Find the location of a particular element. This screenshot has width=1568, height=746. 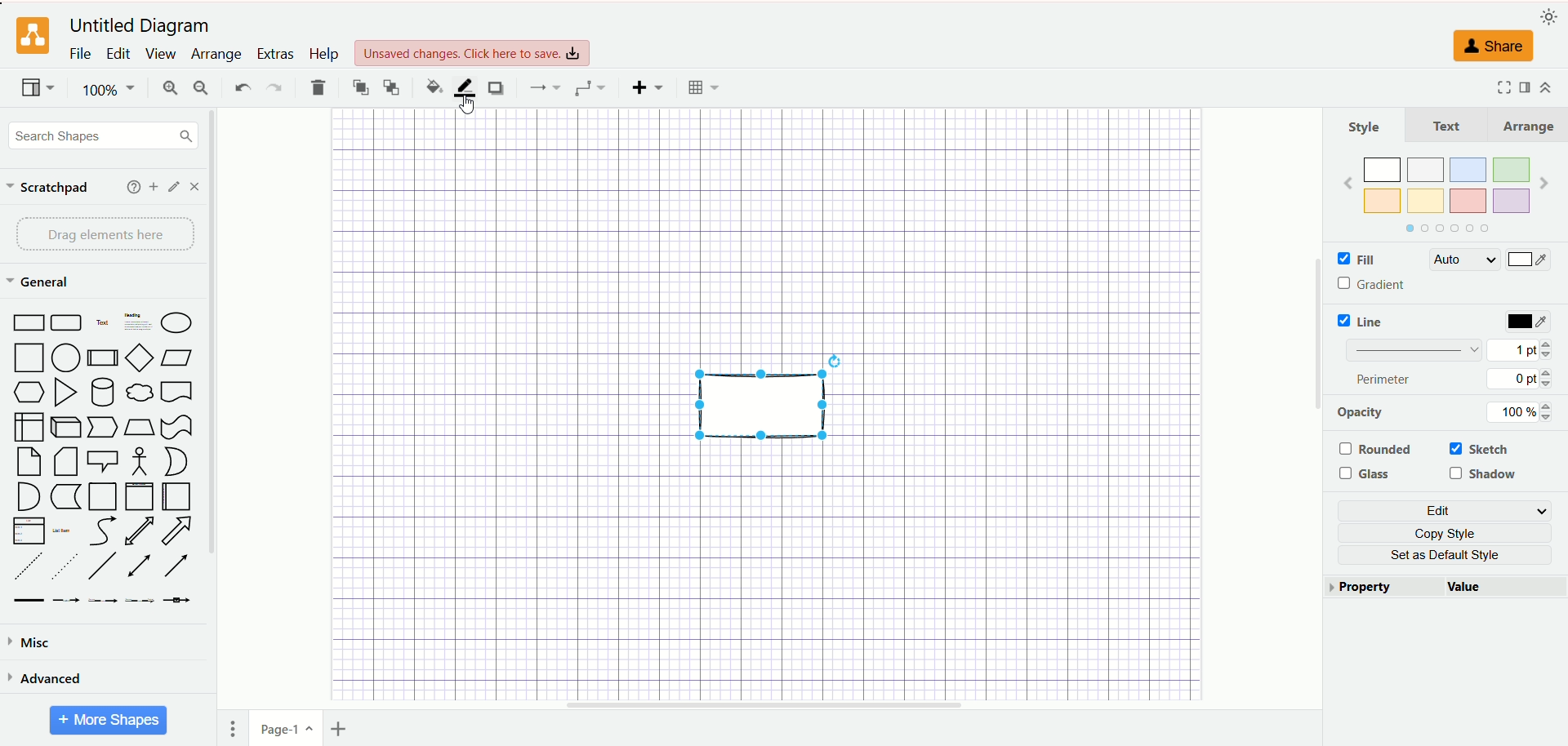

color is located at coordinates (1526, 320).